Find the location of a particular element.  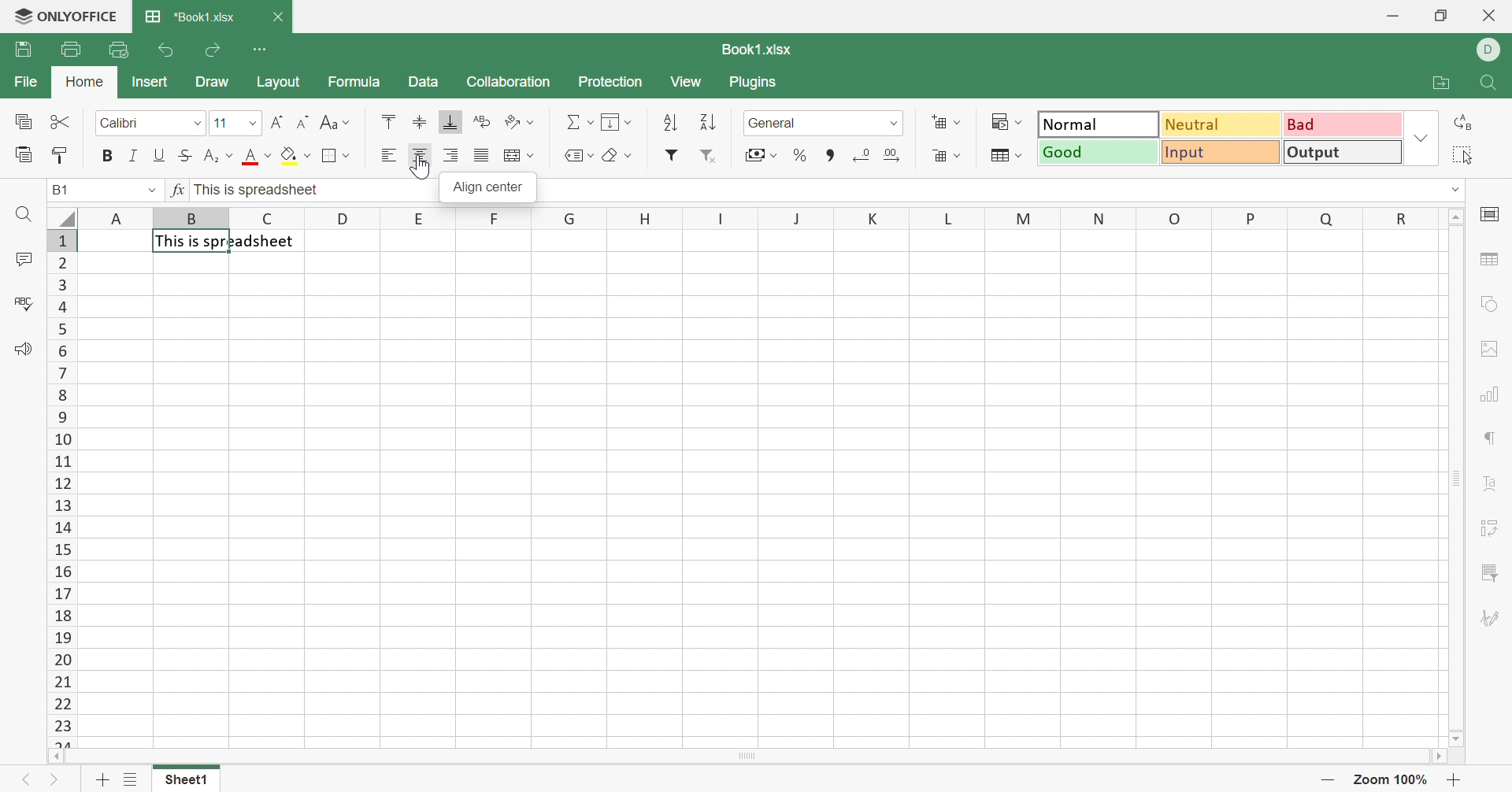

Close is located at coordinates (1489, 16).